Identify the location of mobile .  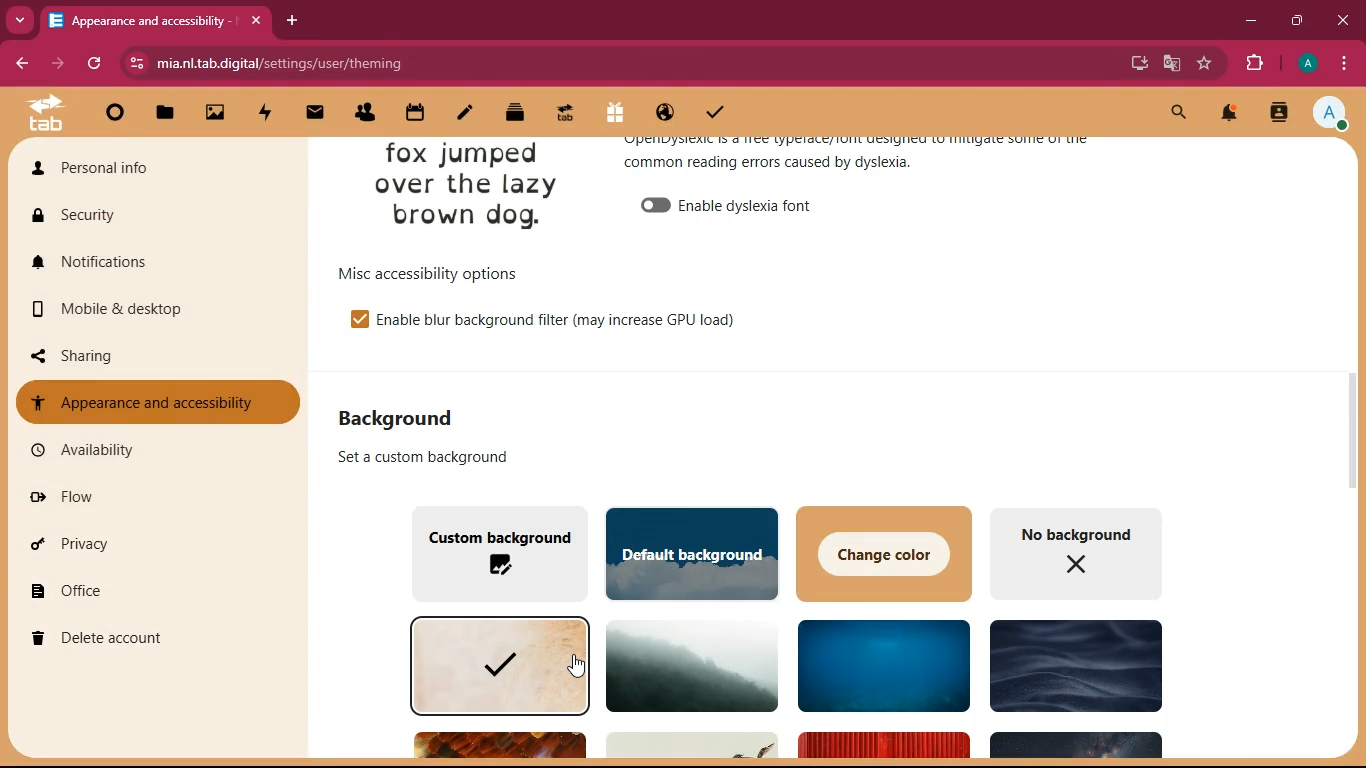
(155, 311).